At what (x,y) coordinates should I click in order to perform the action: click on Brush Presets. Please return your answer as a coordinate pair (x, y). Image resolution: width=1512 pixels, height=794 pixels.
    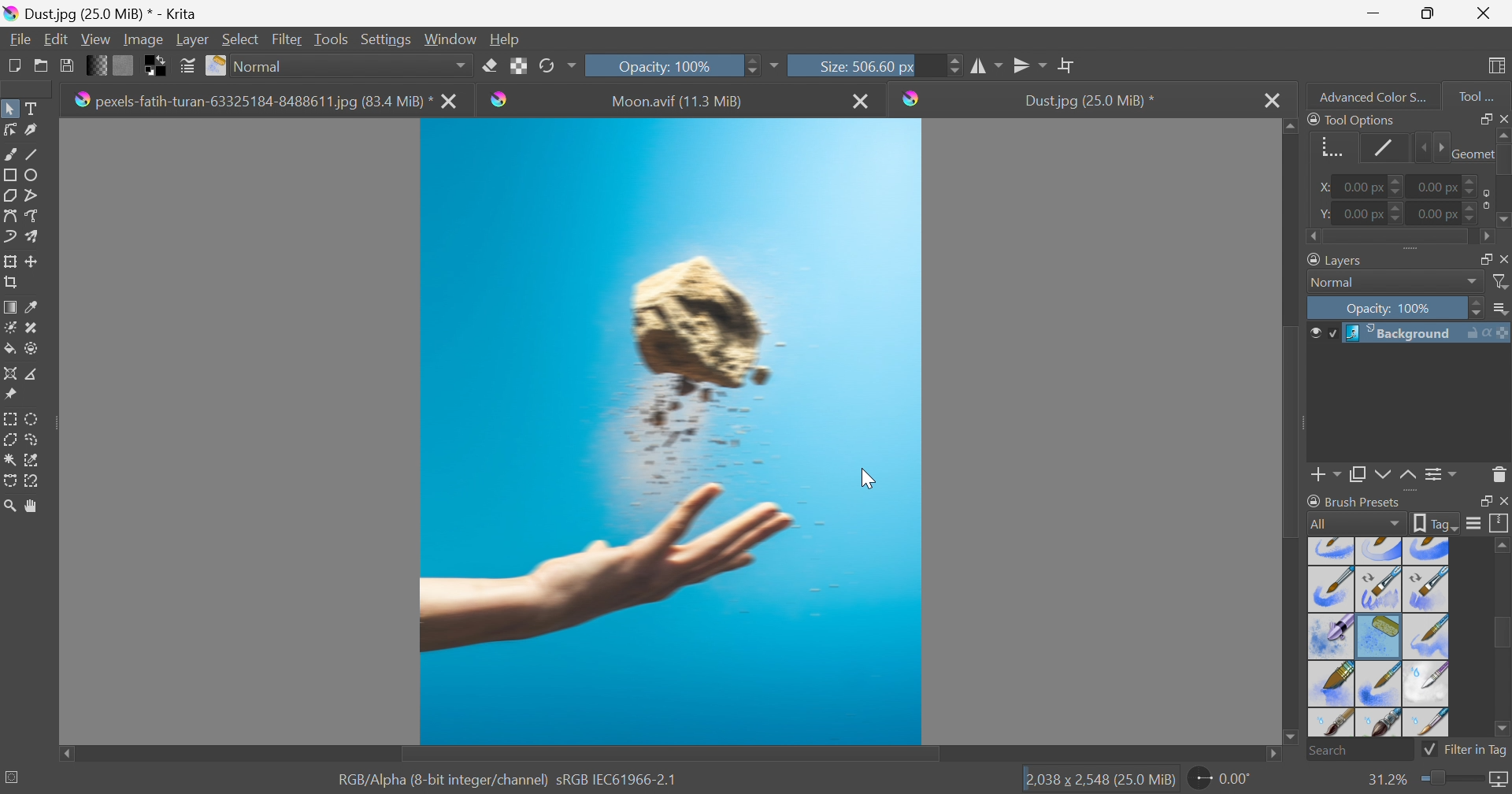
    Looking at the image, I should click on (1354, 501).